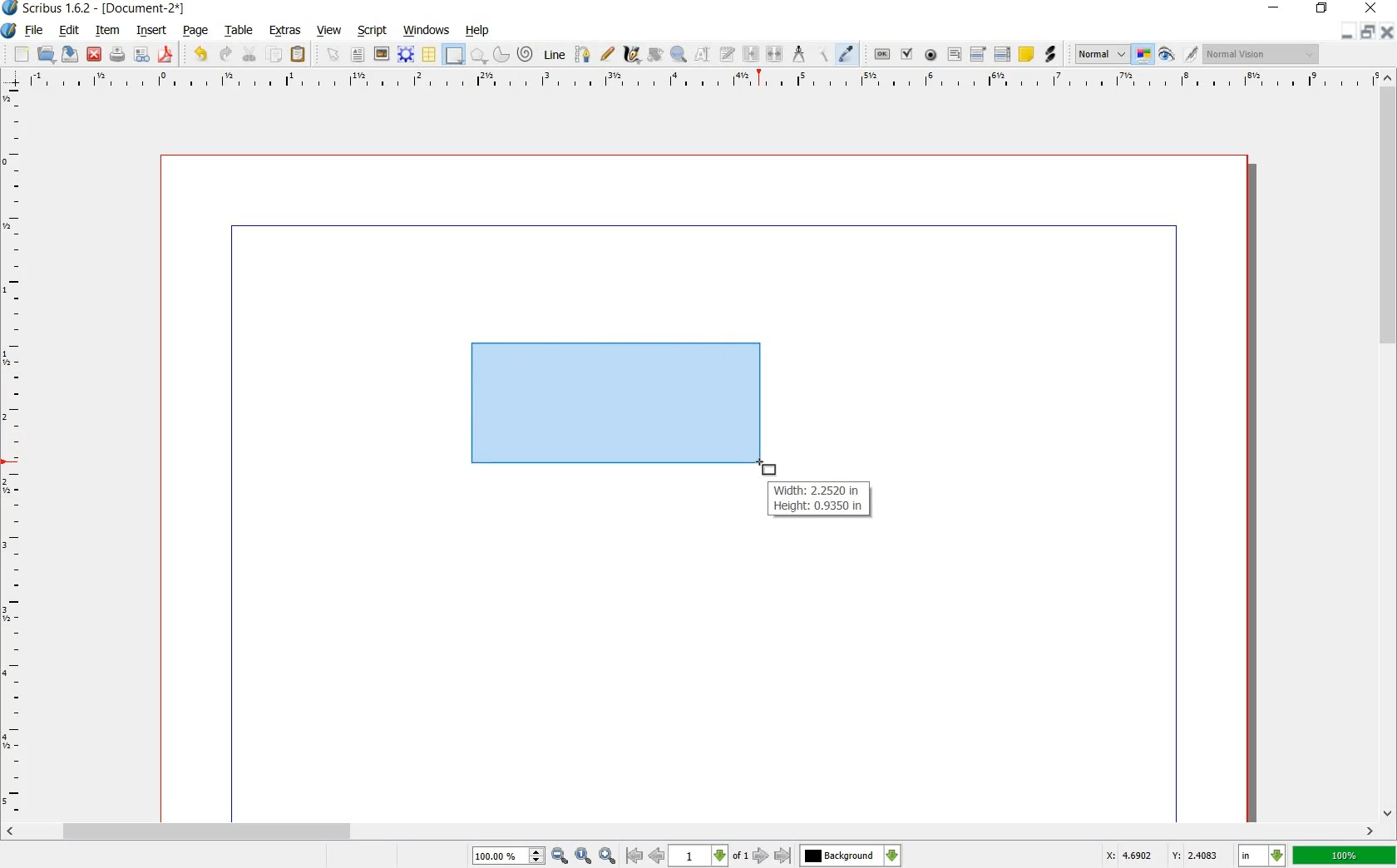 The height and width of the screenshot is (868, 1397). What do you see at coordinates (1193, 54) in the screenshot?
I see `EDIT IN PREVIEW MODE` at bounding box center [1193, 54].